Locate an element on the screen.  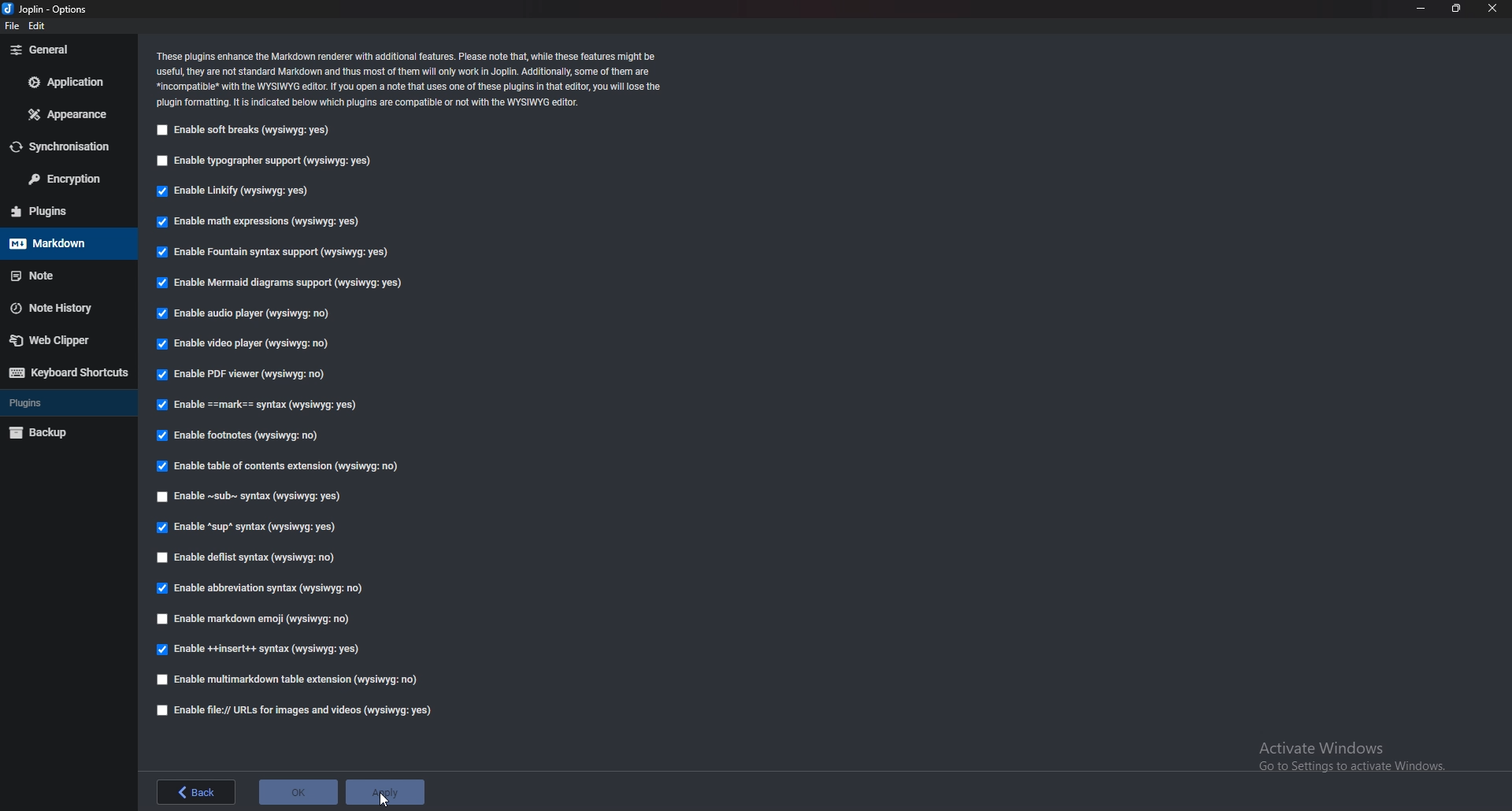
Enable audio player is located at coordinates (240, 313).